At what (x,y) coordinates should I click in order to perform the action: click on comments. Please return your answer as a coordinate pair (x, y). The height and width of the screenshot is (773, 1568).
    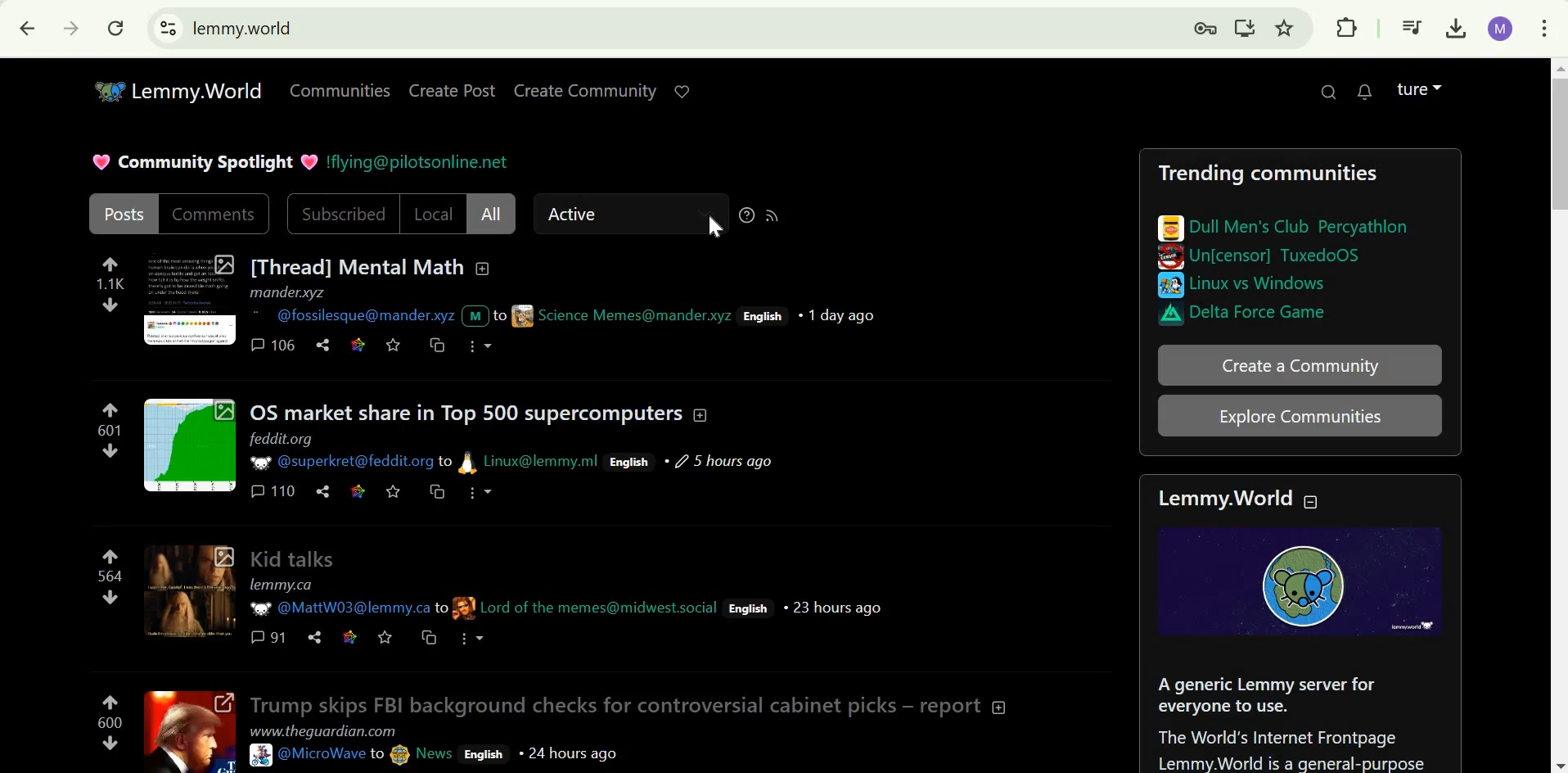
    Looking at the image, I should click on (272, 490).